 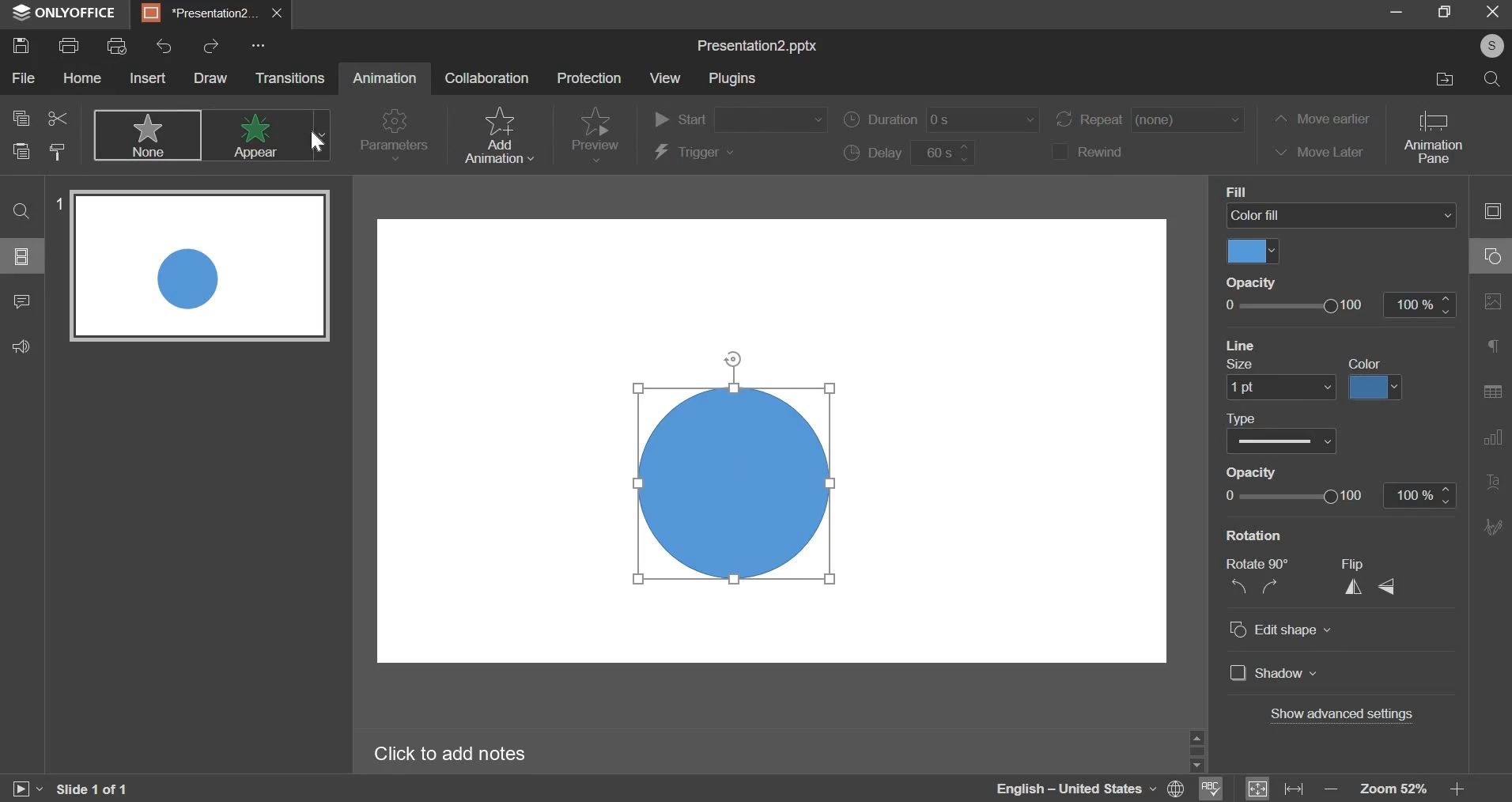 I want to click on file location, so click(x=1443, y=78).